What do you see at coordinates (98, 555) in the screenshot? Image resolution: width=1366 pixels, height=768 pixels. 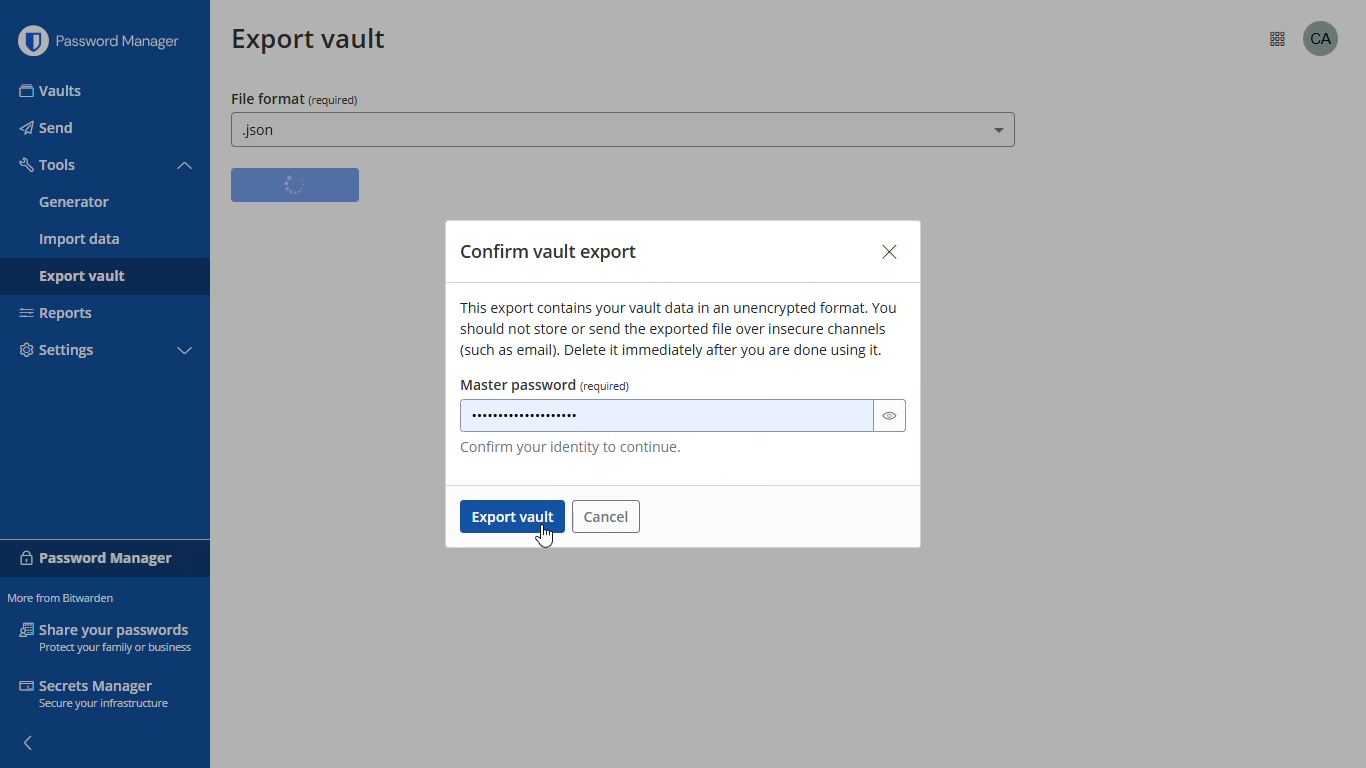 I see `password manager` at bounding box center [98, 555].